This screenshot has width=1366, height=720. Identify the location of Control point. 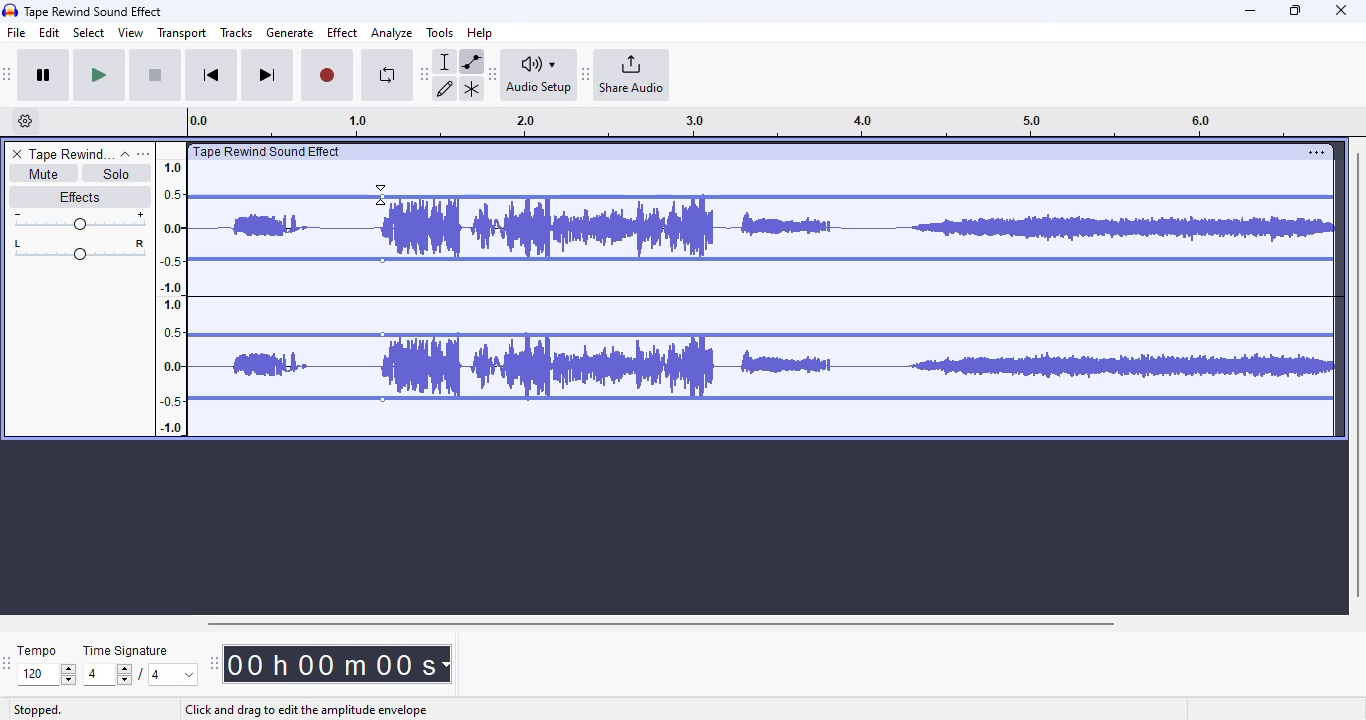
(383, 197).